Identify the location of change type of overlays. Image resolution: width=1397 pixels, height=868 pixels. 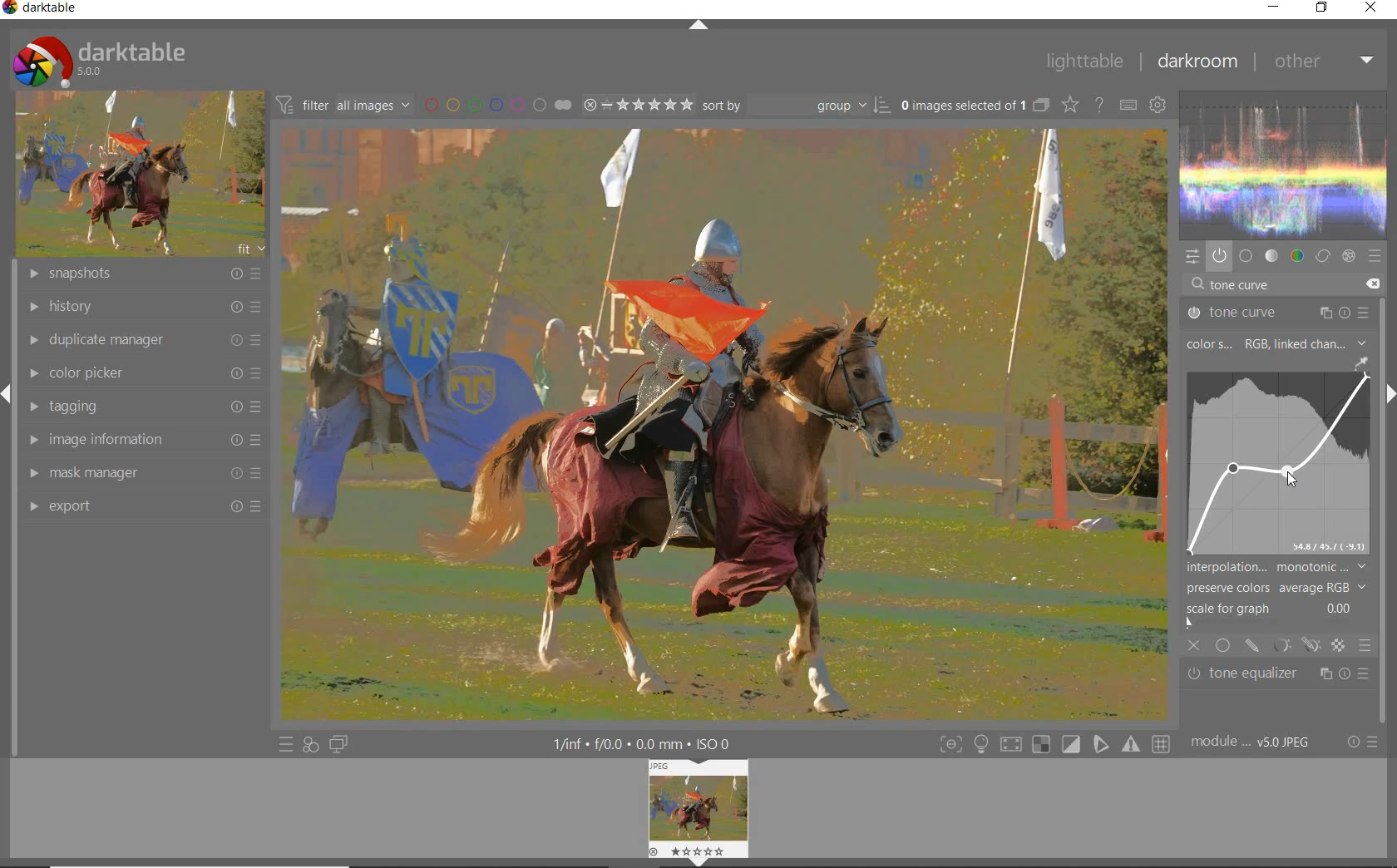
(1072, 106).